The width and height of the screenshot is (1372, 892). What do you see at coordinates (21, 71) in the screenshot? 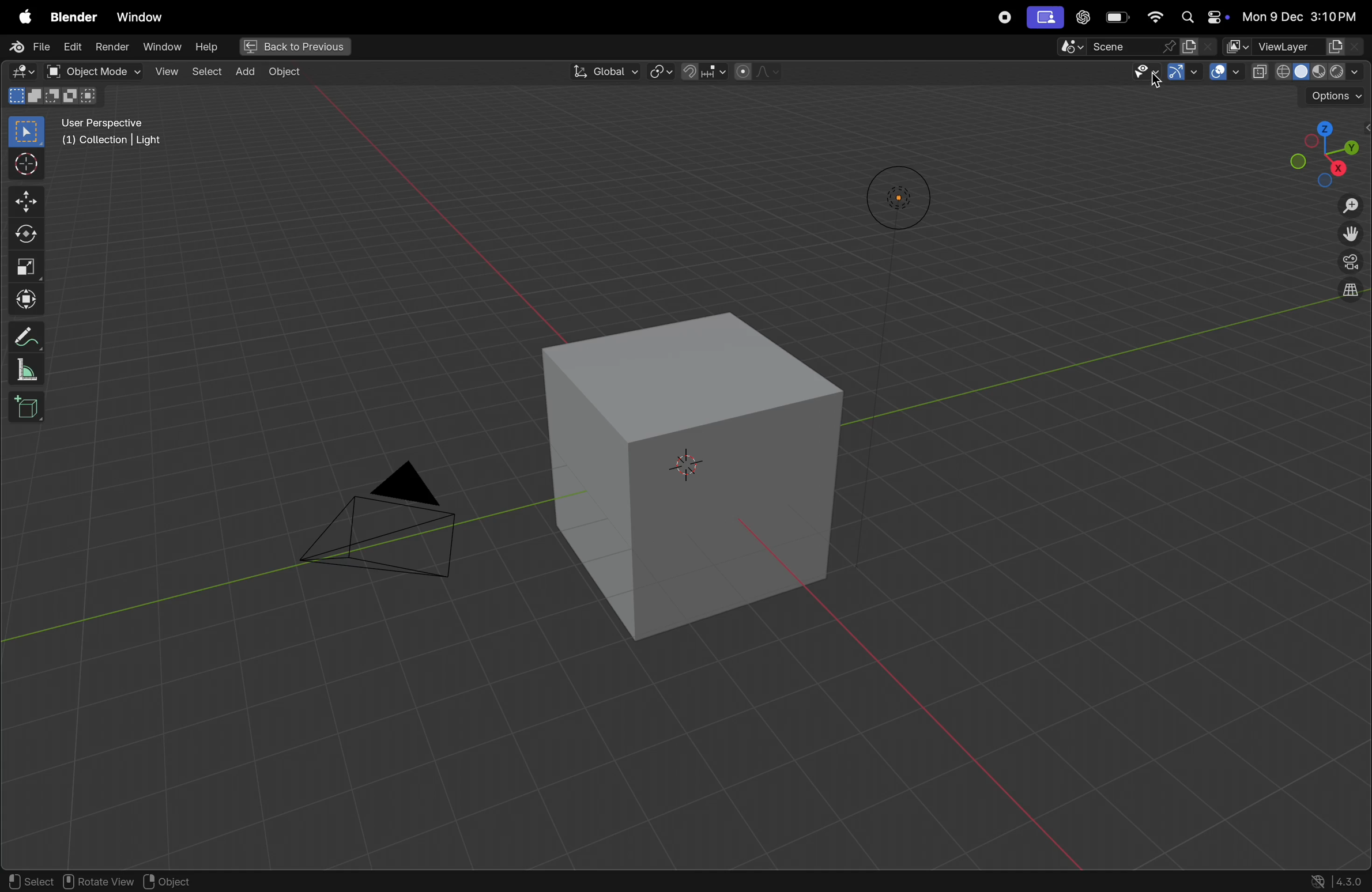
I see `edit mode` at bounding box center [21, 71].